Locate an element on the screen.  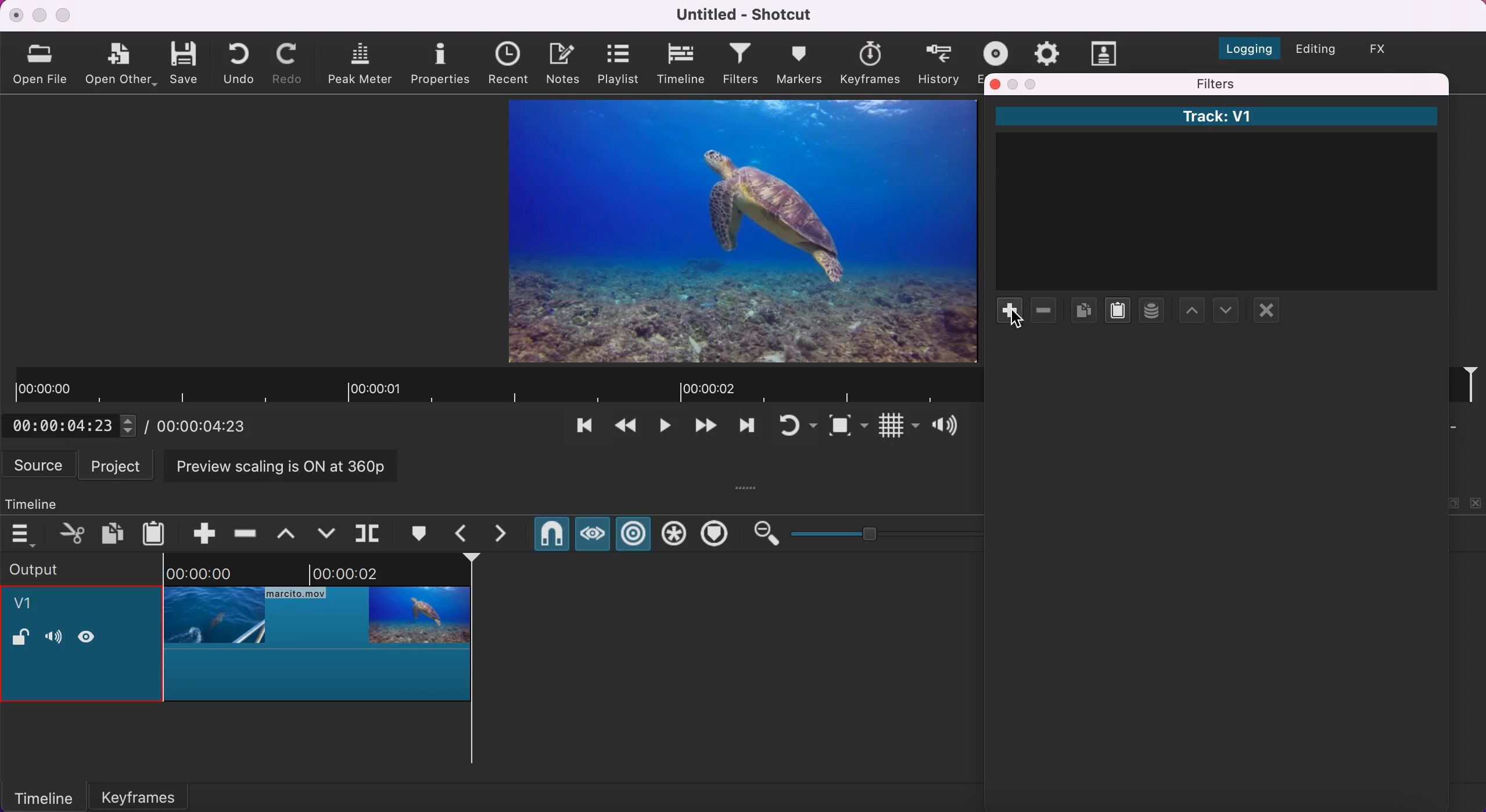
paste is located at coordinates (157, 531).